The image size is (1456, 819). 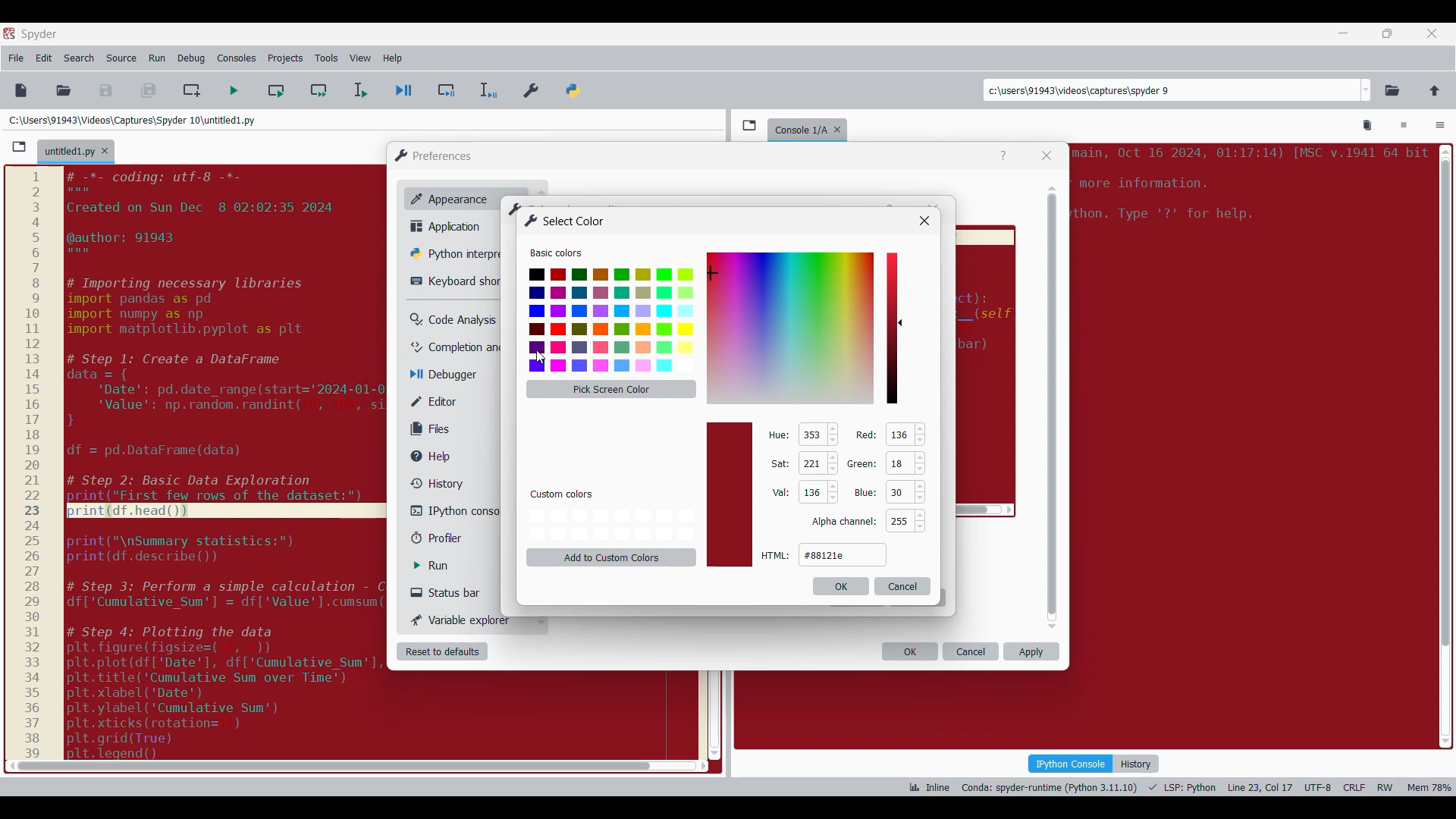 I want to click on Debugger, so click(x=450, y=375).